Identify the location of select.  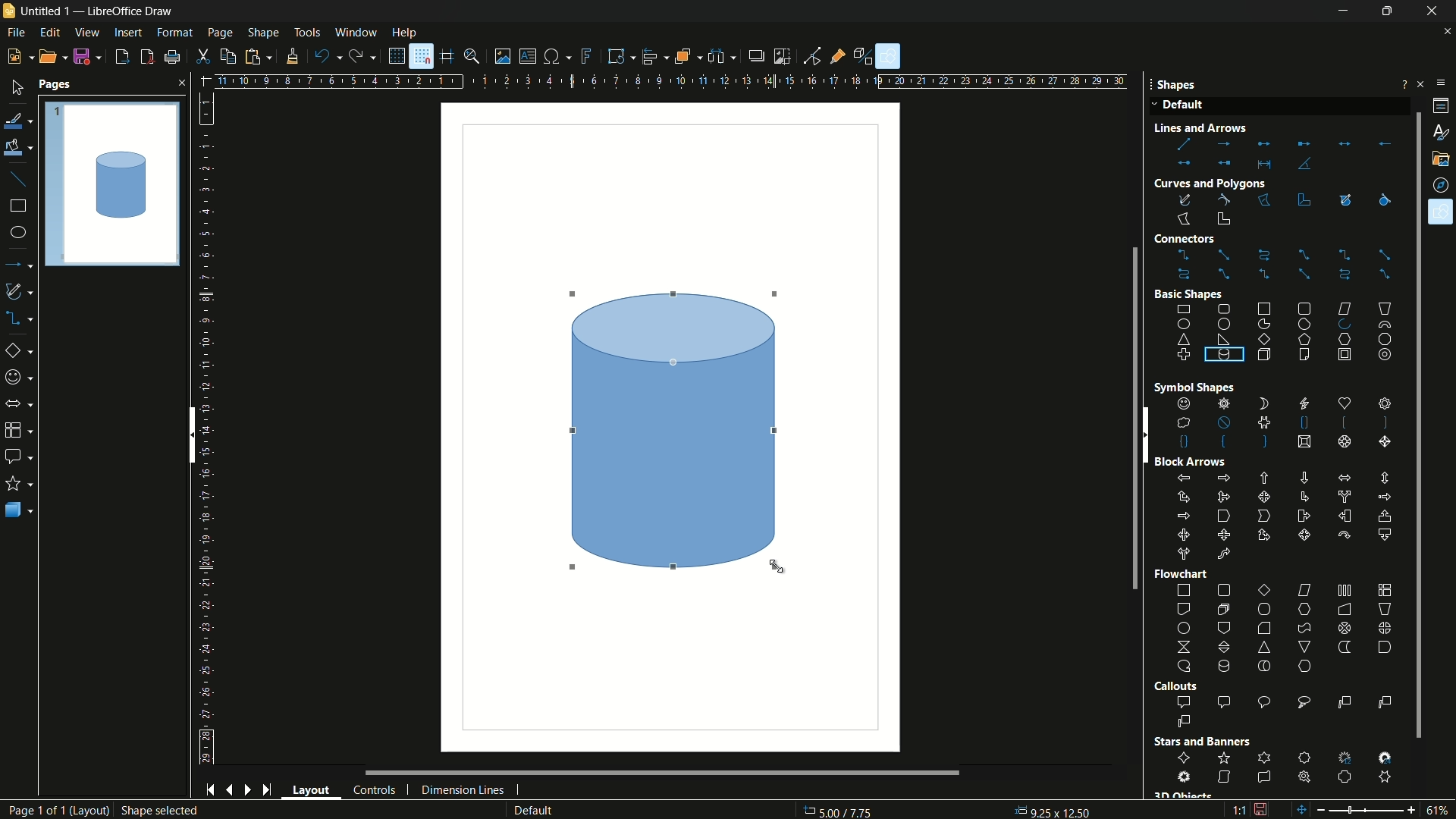
(17, 87).